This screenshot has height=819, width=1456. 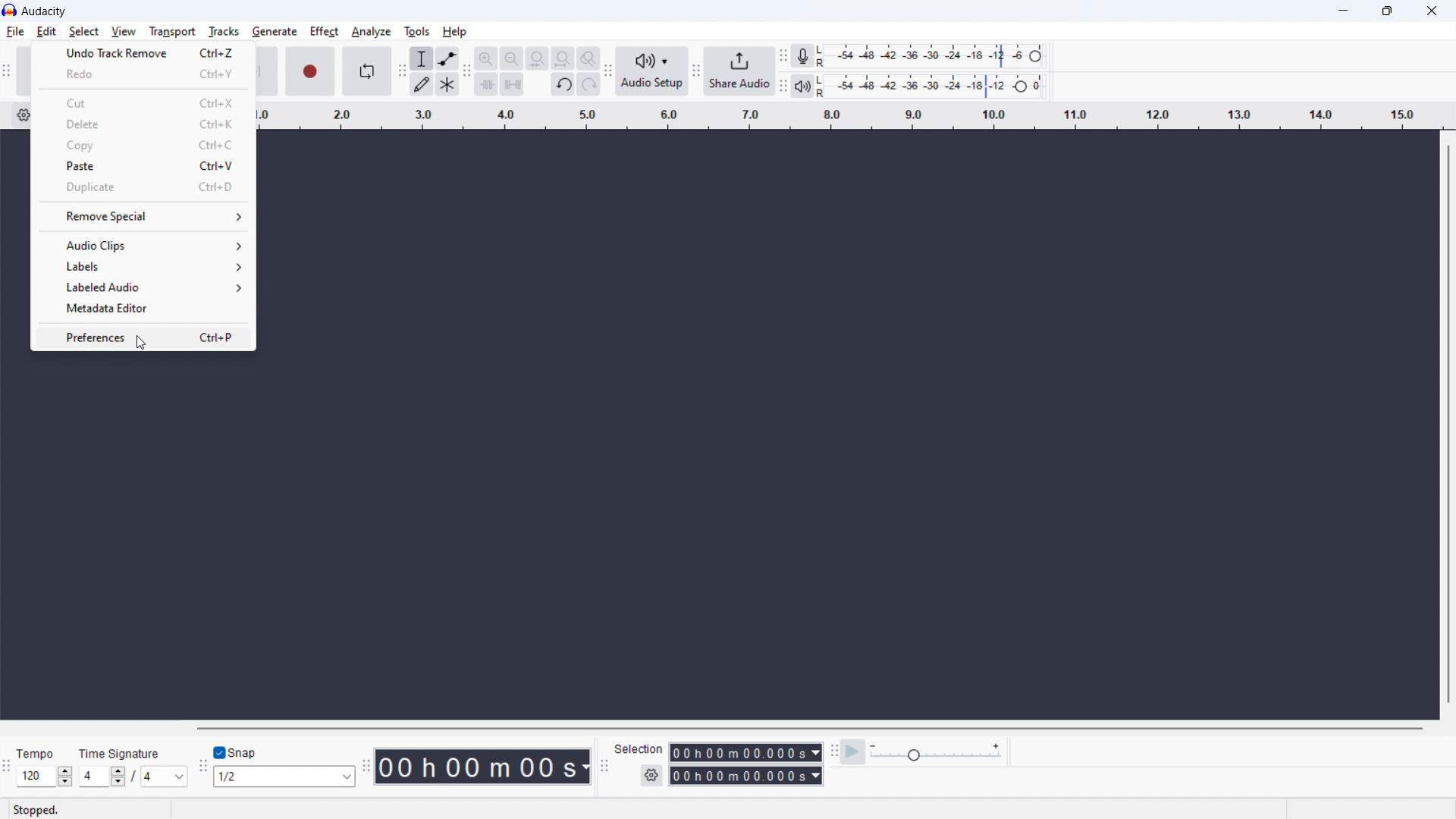 I want to click on playback meter, so click(x=804, y=85).